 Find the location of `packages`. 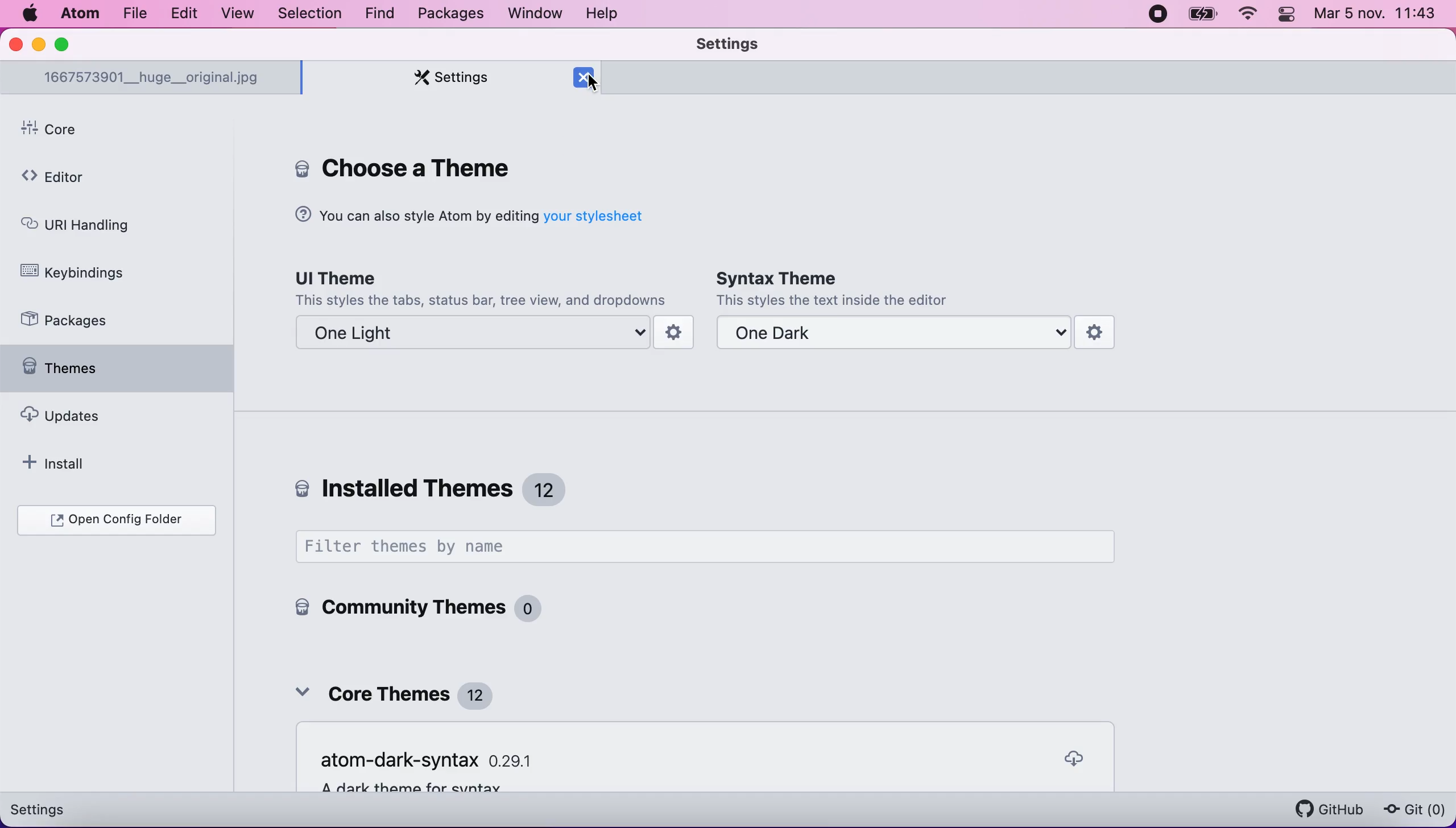

packages is located at coordinates (448, 14).